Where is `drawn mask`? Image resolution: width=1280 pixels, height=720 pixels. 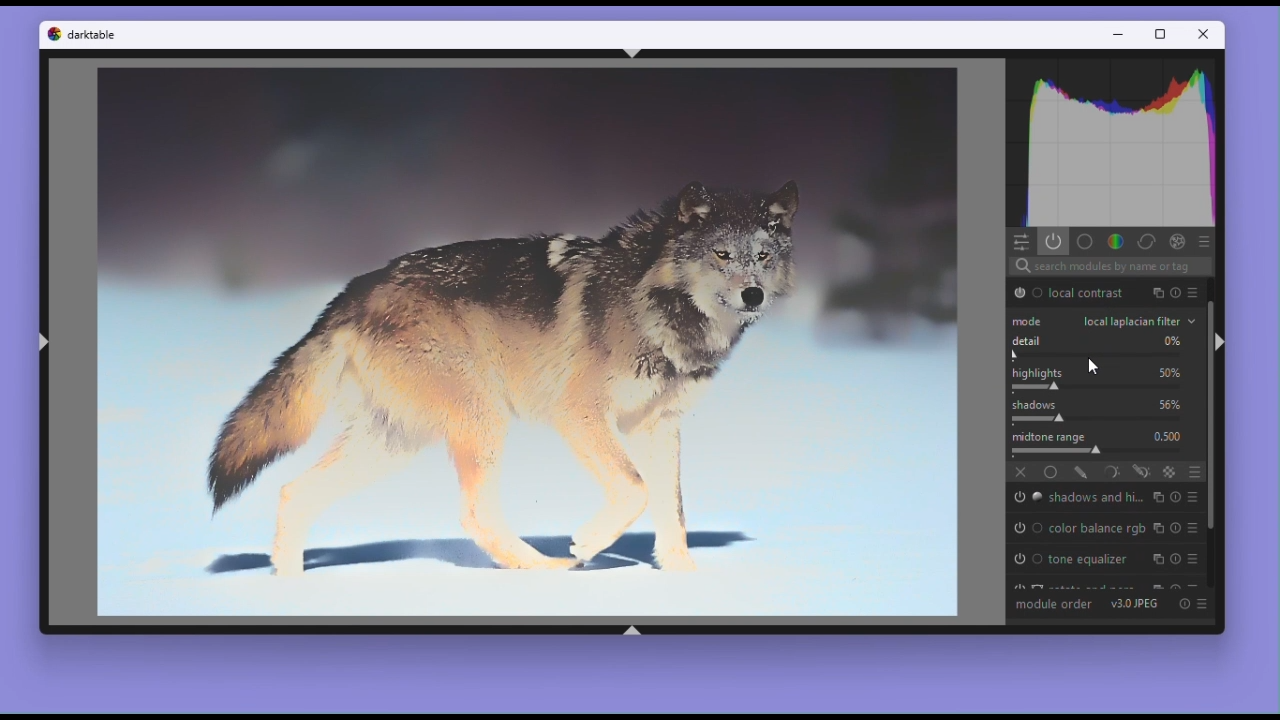
drawn mask is located at coordinates (1081, 473).